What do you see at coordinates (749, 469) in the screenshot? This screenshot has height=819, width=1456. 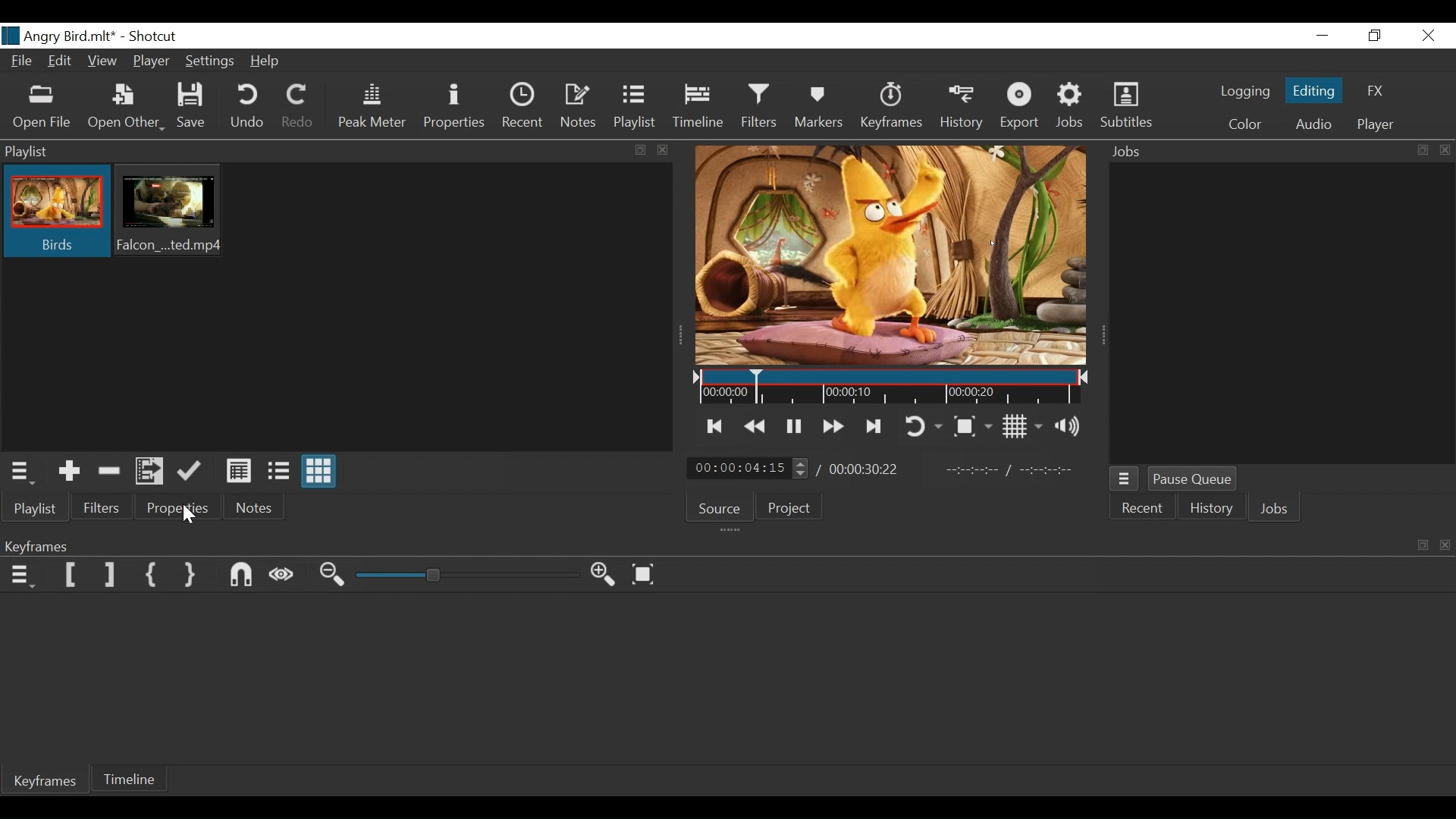 I see `Current position` at bounding box center [749, 469].